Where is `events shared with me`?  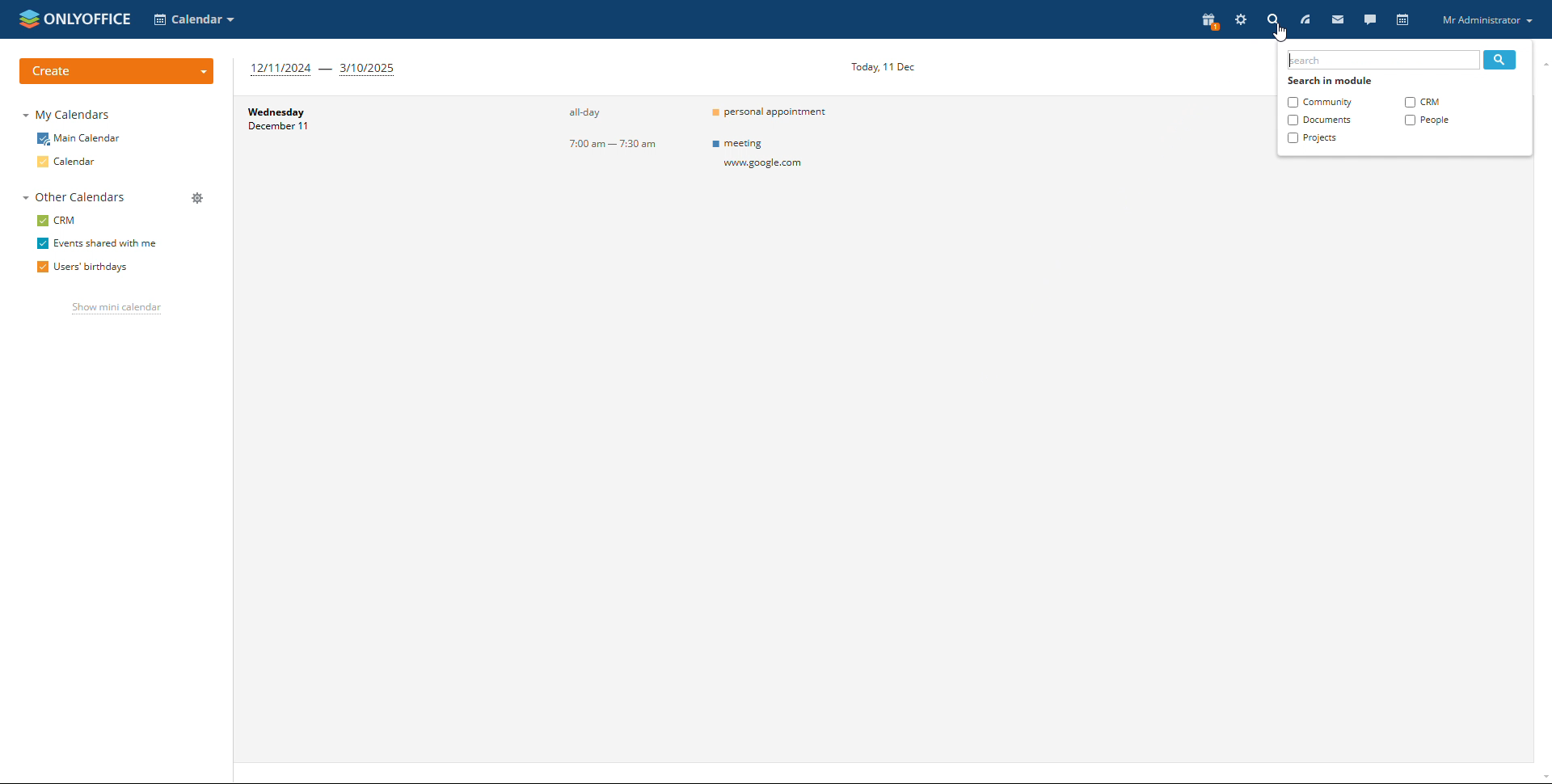
events shared with me is located at coordinates (98, 243).